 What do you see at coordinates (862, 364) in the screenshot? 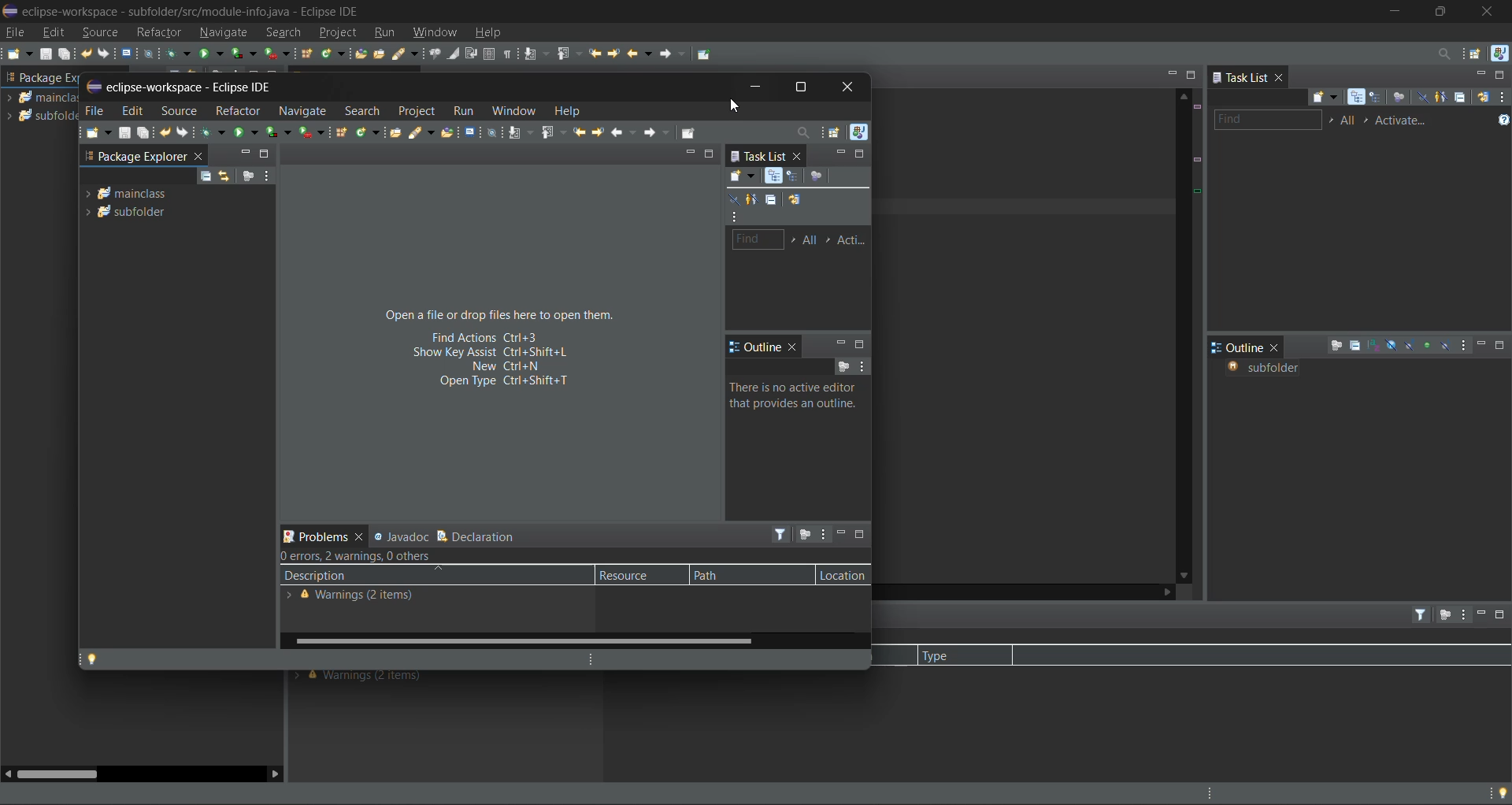
I see `view menu` at bounding box center [862, 364].